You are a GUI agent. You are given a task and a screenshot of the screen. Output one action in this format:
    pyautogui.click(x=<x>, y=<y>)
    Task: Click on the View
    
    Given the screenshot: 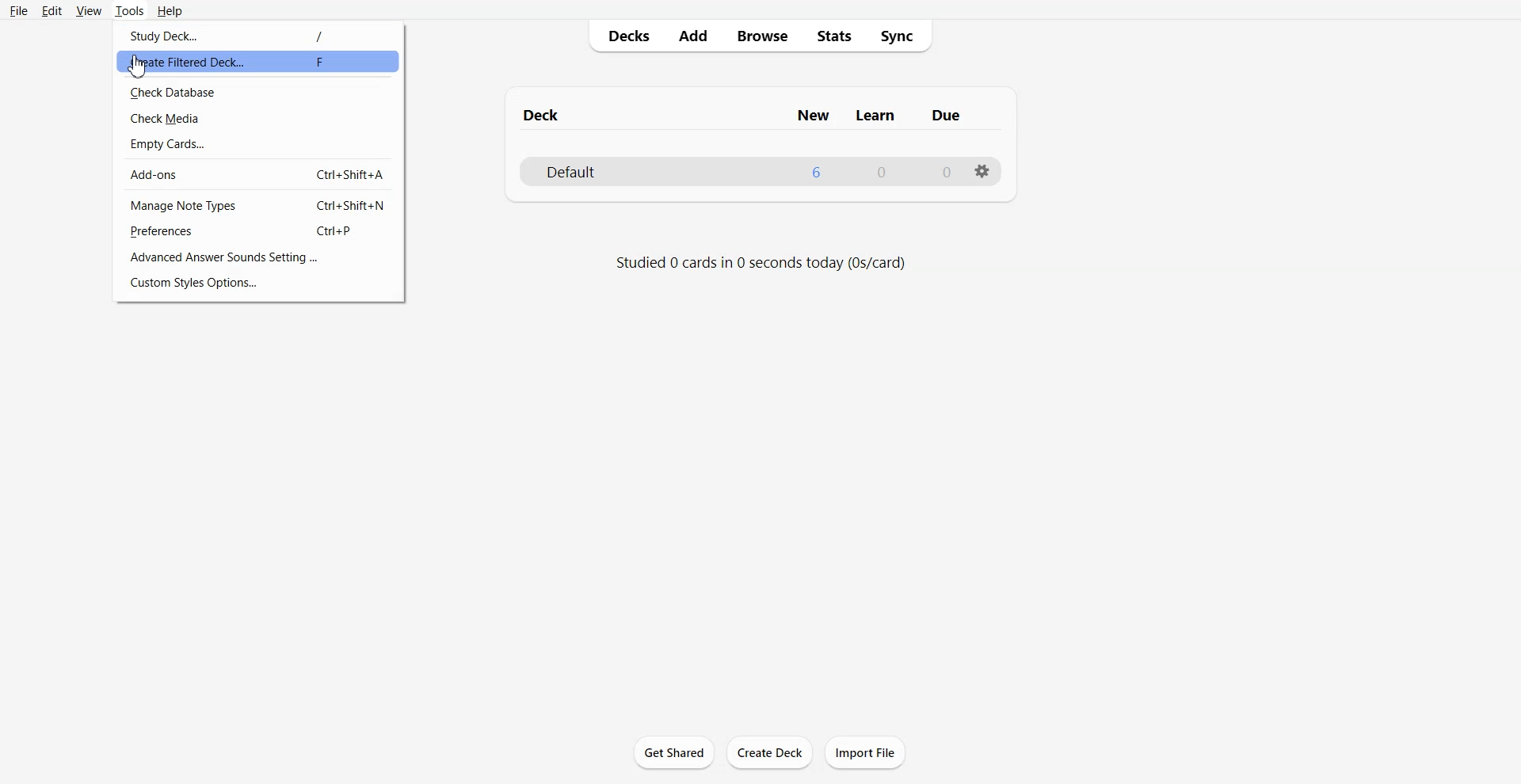 What is the action you would take?
    pyautogui.click(x=89, y=10)
    